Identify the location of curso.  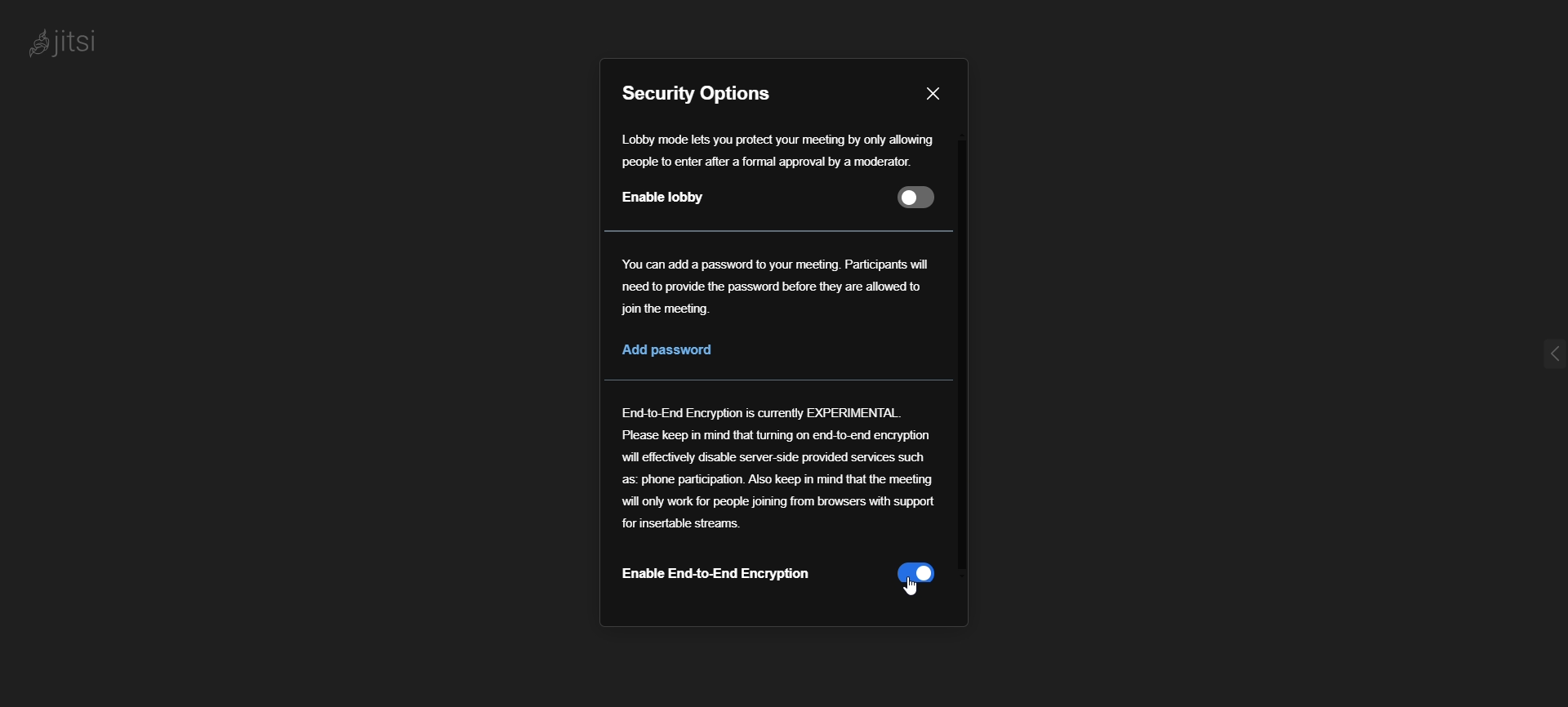
(911, 587).